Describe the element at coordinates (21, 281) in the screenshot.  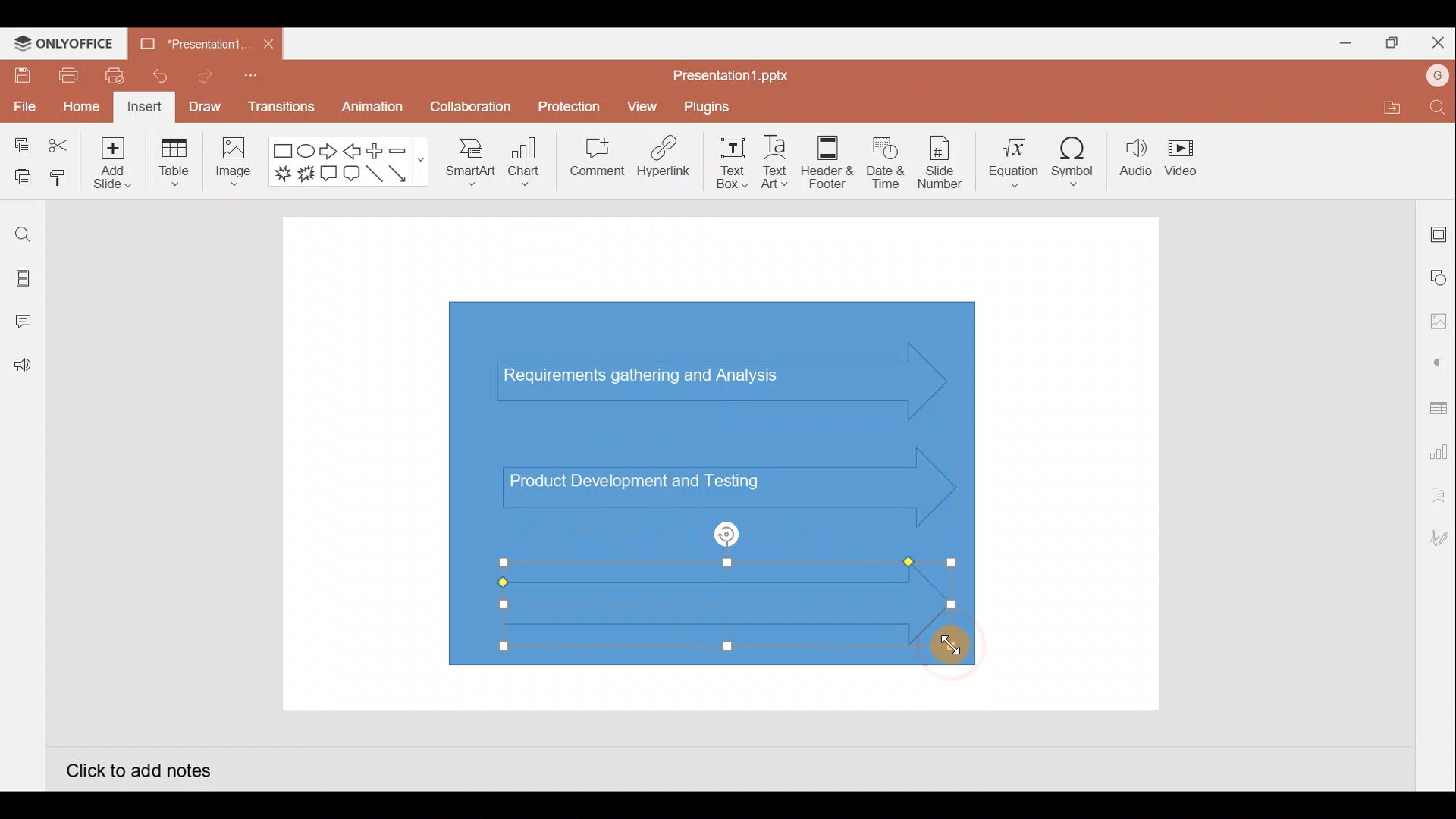
I see `Slides` at that location.